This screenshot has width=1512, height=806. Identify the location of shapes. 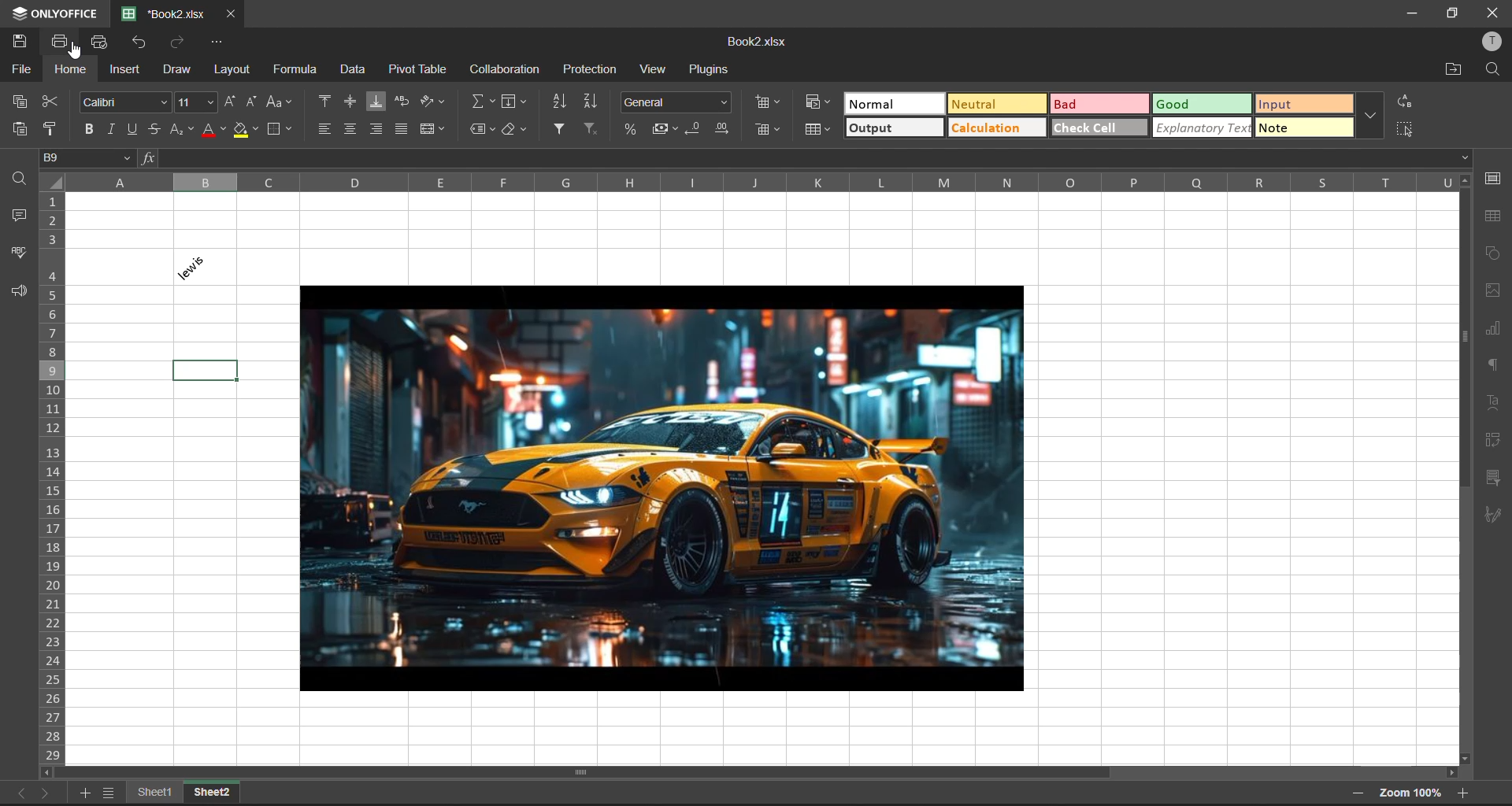
(1496, 254).